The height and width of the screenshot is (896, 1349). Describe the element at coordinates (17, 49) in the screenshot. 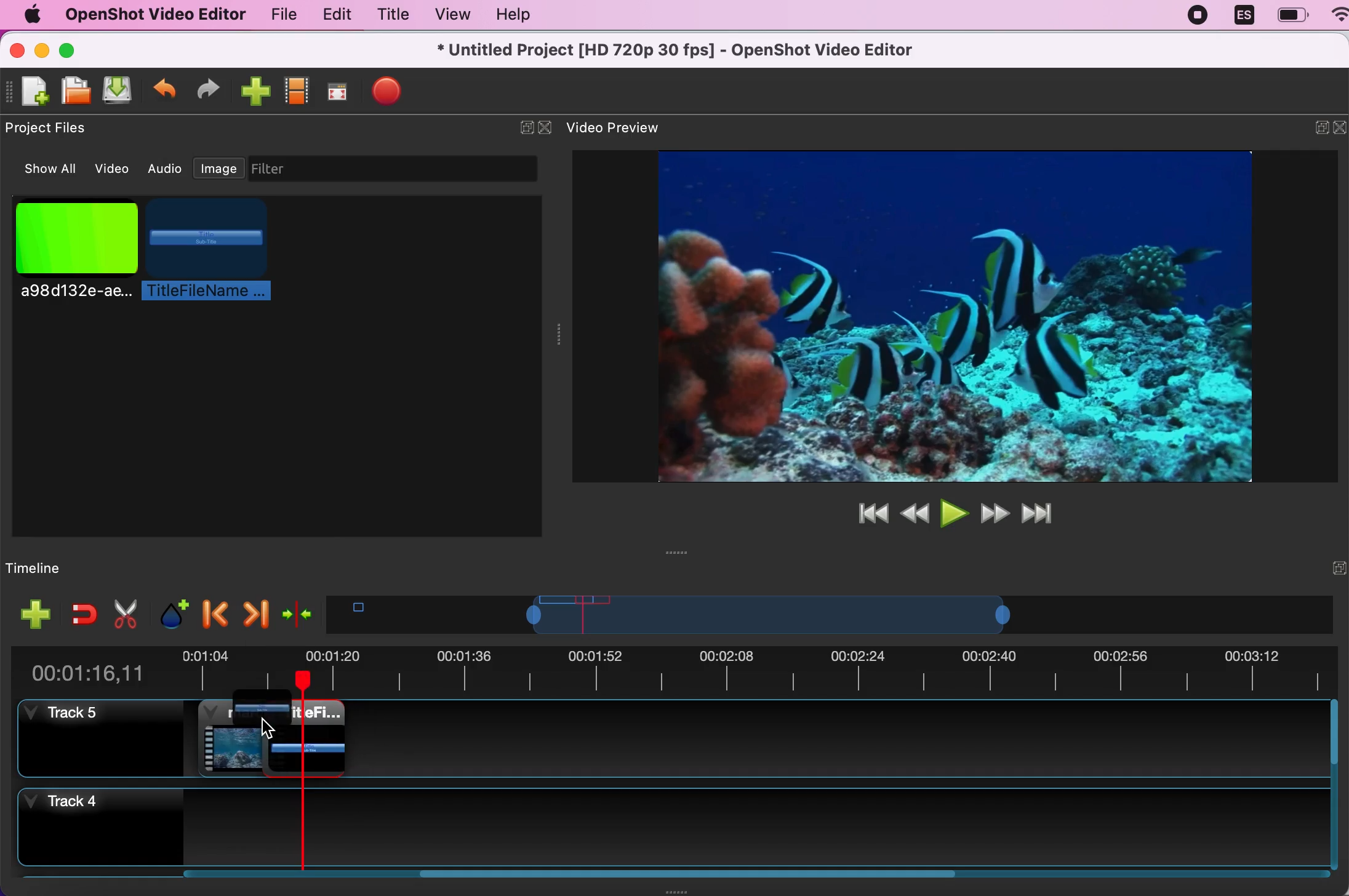

I see `close` at that location.